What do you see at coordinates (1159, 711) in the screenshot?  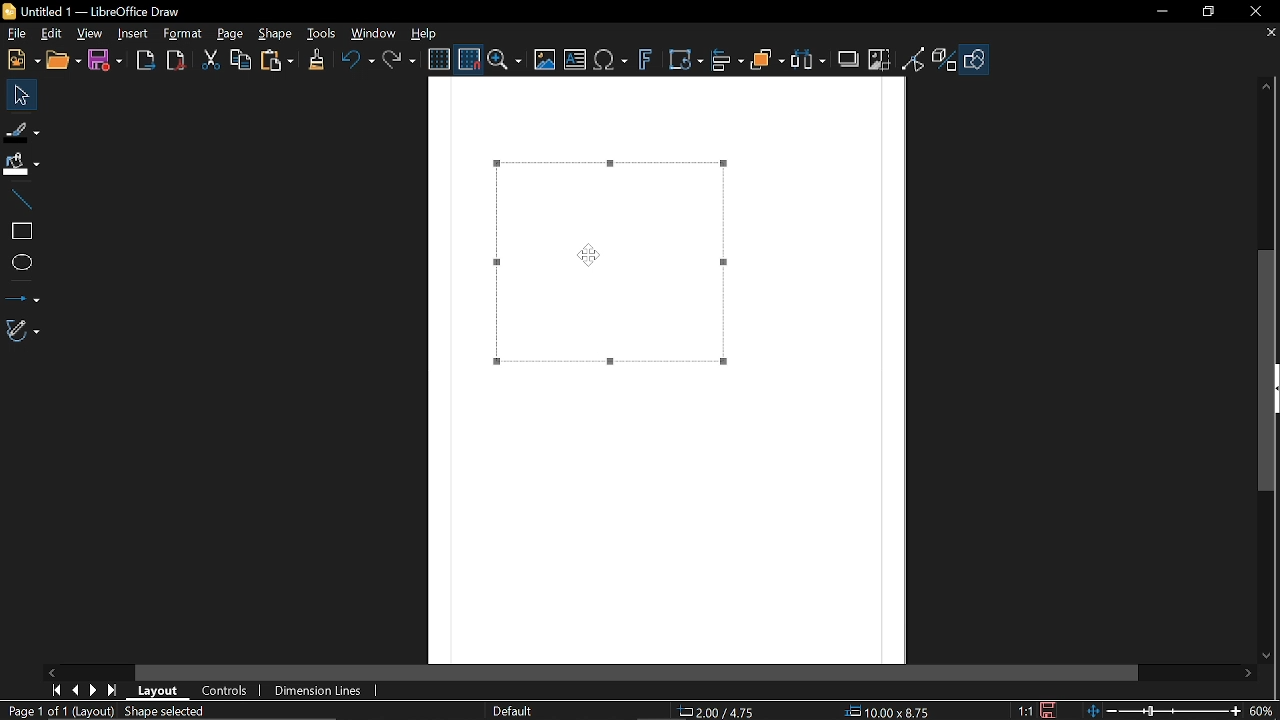 I see `Change zoom` at bounding box center [1159, 711].